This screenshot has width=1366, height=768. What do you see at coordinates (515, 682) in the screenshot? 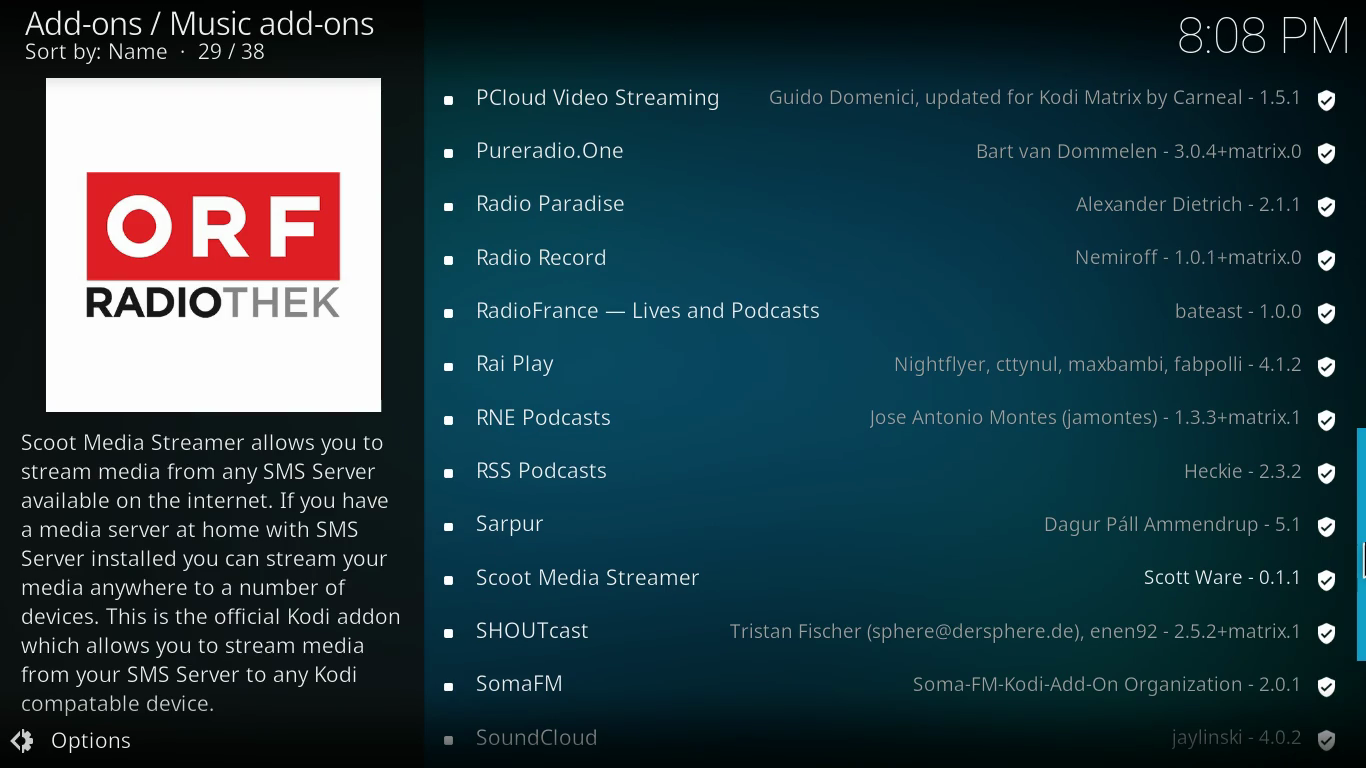
I see `add-on` at bounding box center [515, 682].